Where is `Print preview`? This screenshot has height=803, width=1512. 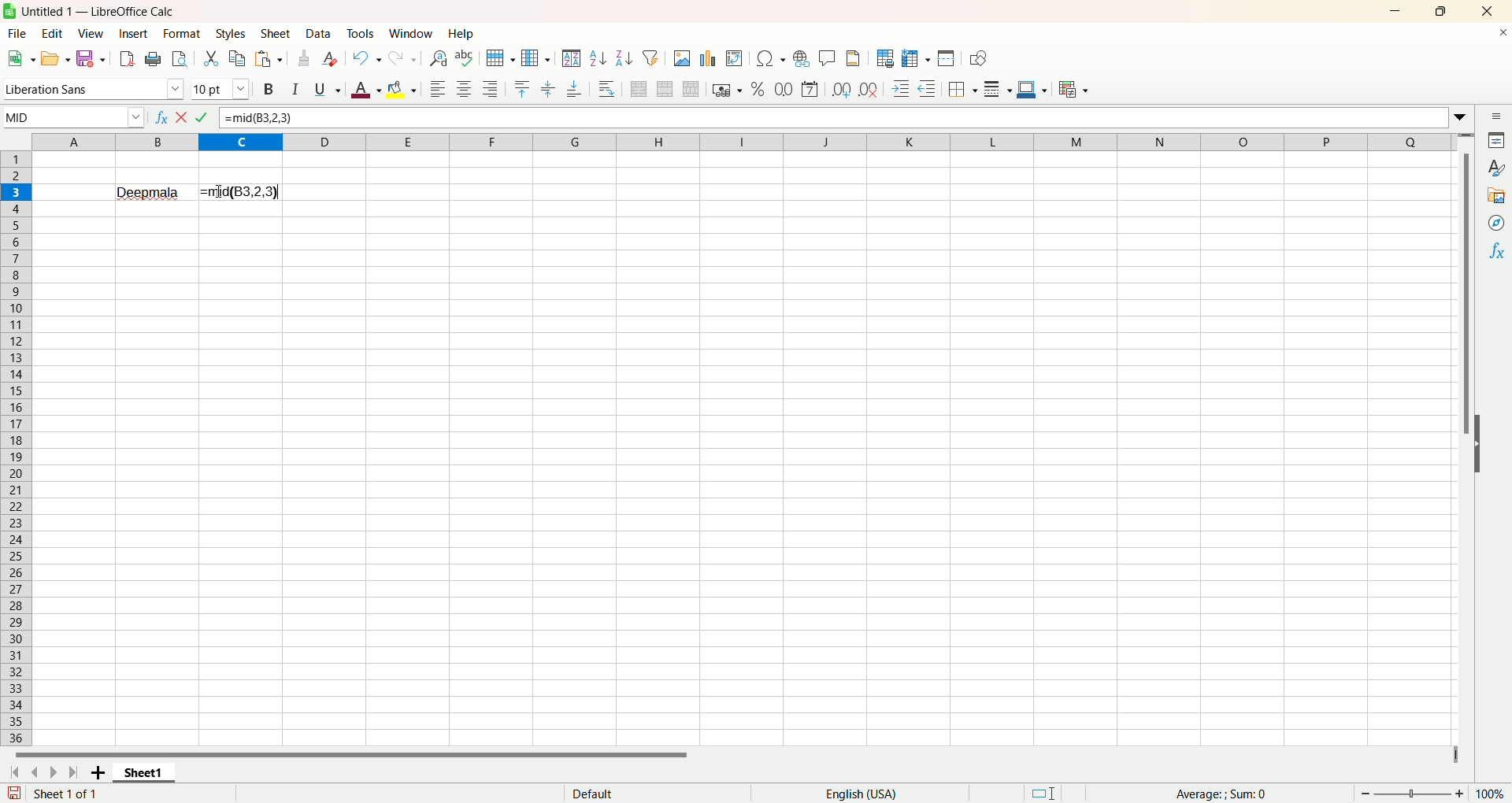
Print preview is located at coordinates (179, 59).